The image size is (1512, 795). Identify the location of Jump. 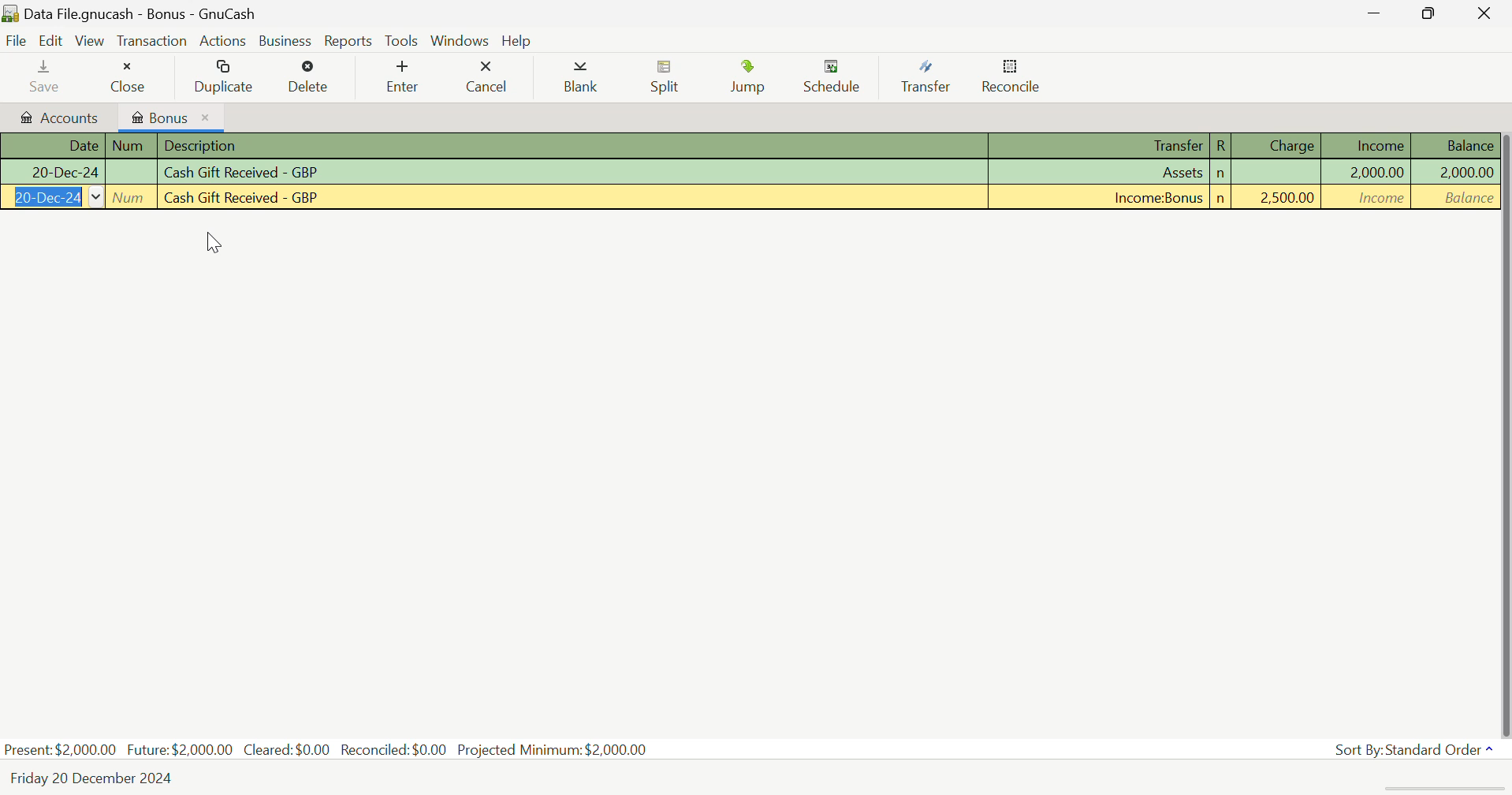
(753, 77).